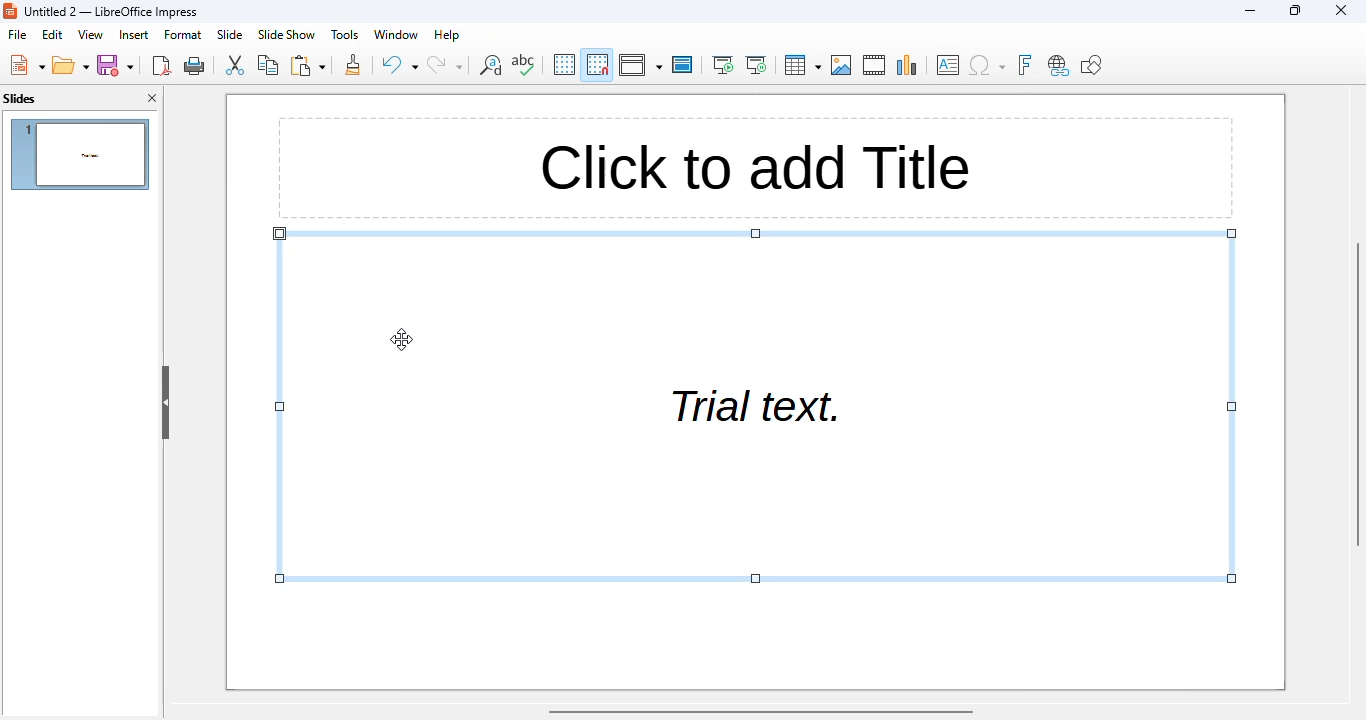 The image size is (1366, 720). Describe the element at coordinates (116, 65) in the screenshot. I see `save` at that location.